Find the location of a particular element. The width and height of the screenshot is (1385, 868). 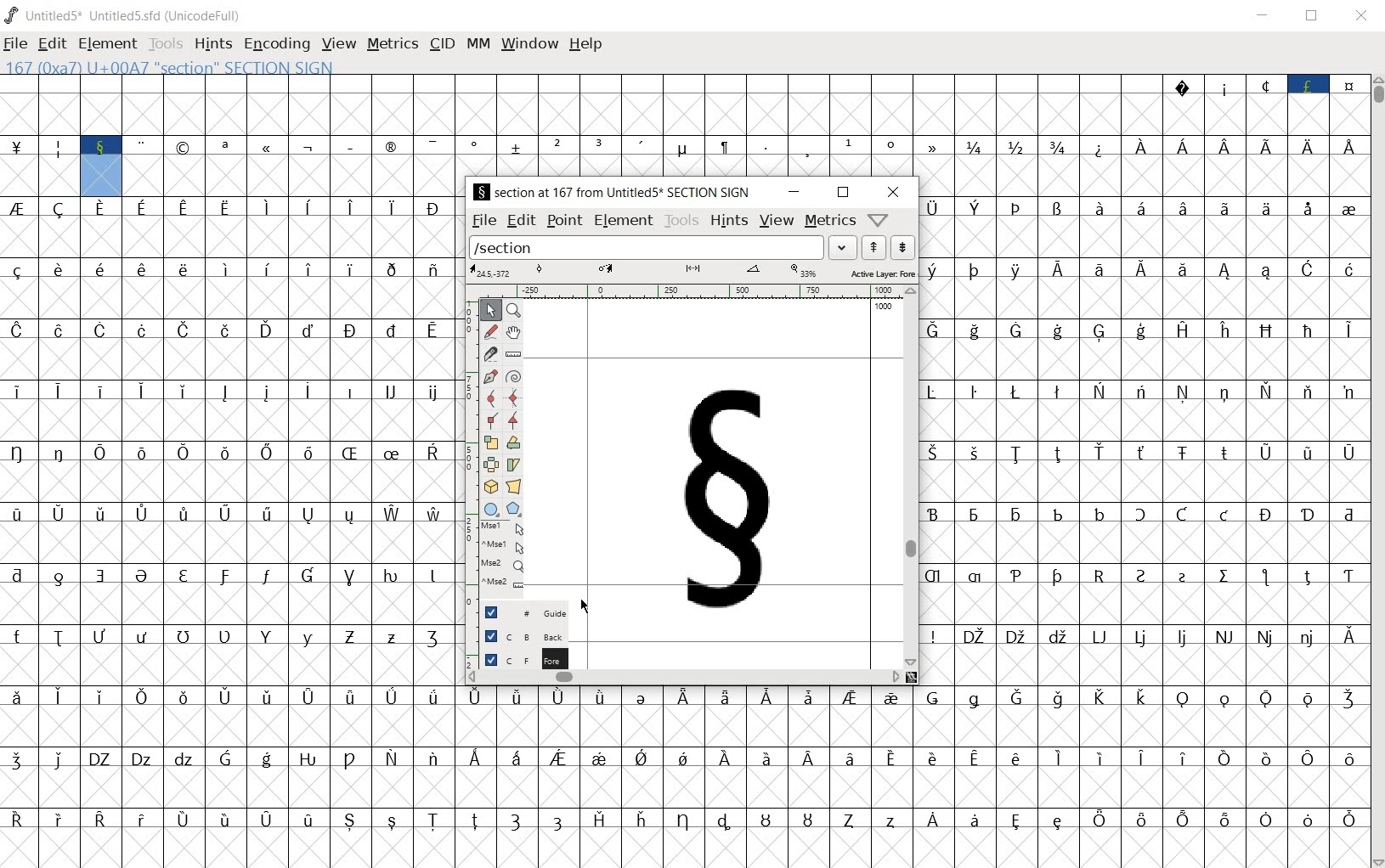

special letters is located at coordinates (230, 454).